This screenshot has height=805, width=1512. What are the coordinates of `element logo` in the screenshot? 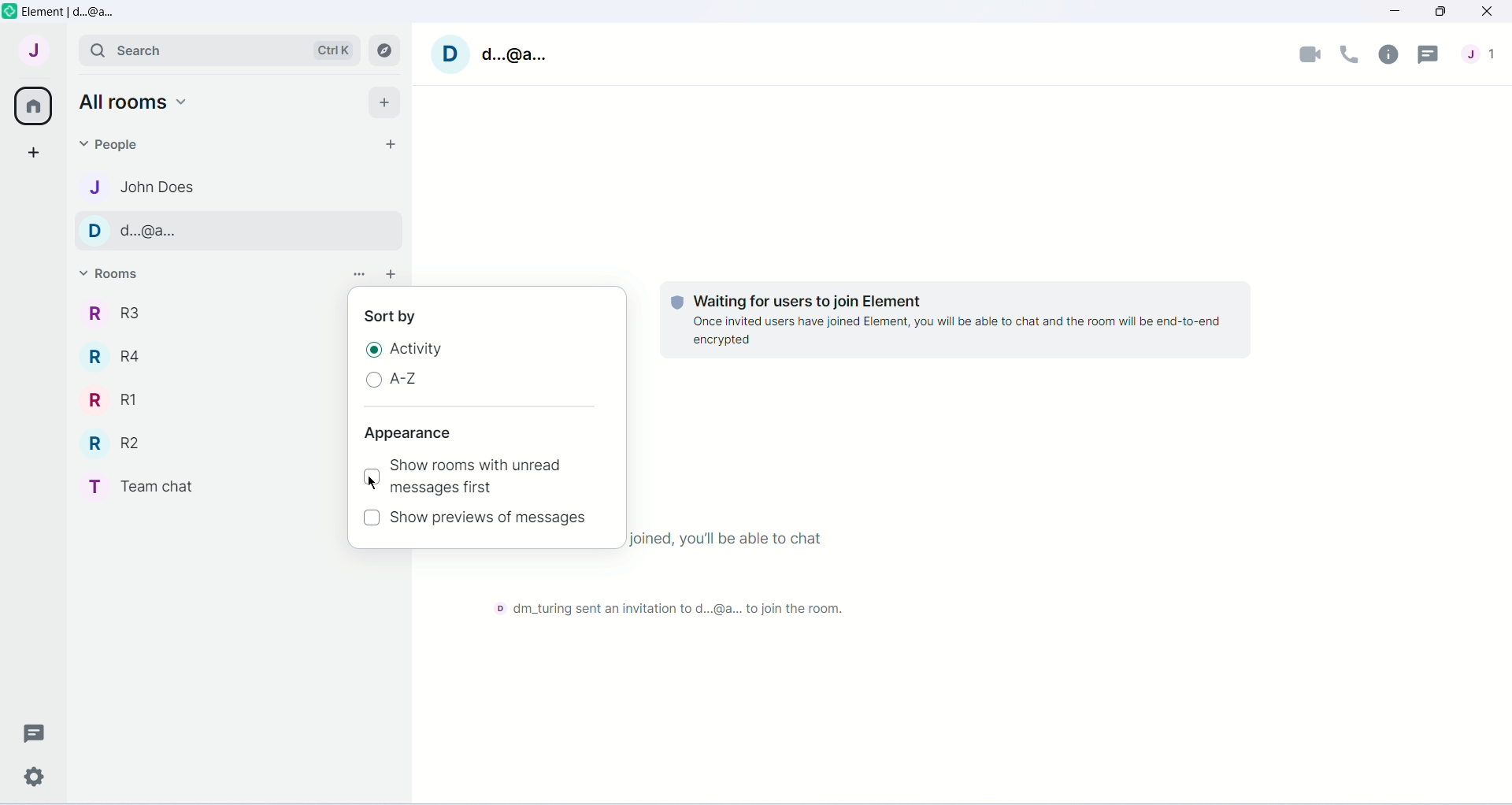 It's located at (11, 12).